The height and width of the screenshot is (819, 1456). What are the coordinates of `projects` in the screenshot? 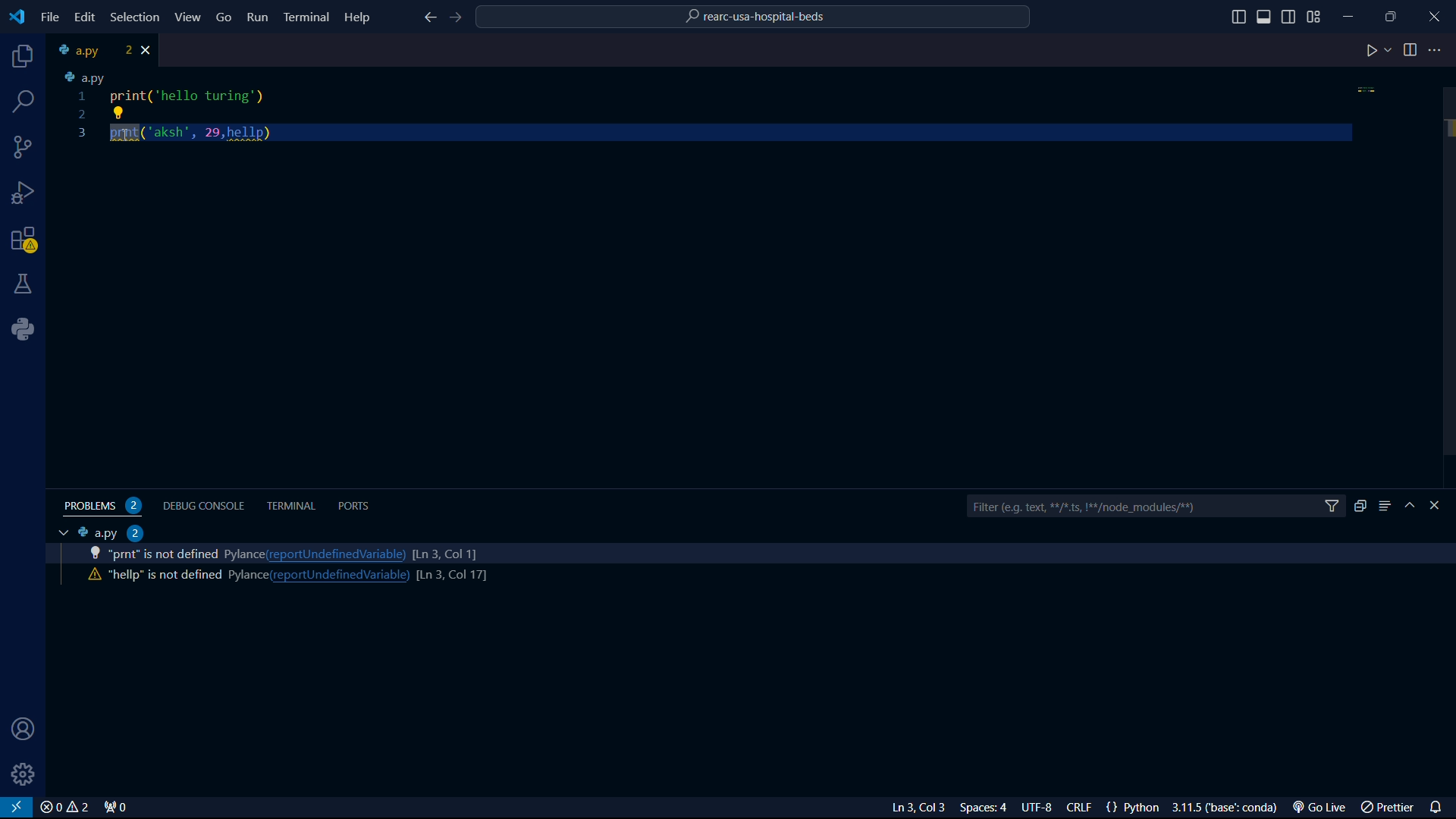 It's located at (20, 58).